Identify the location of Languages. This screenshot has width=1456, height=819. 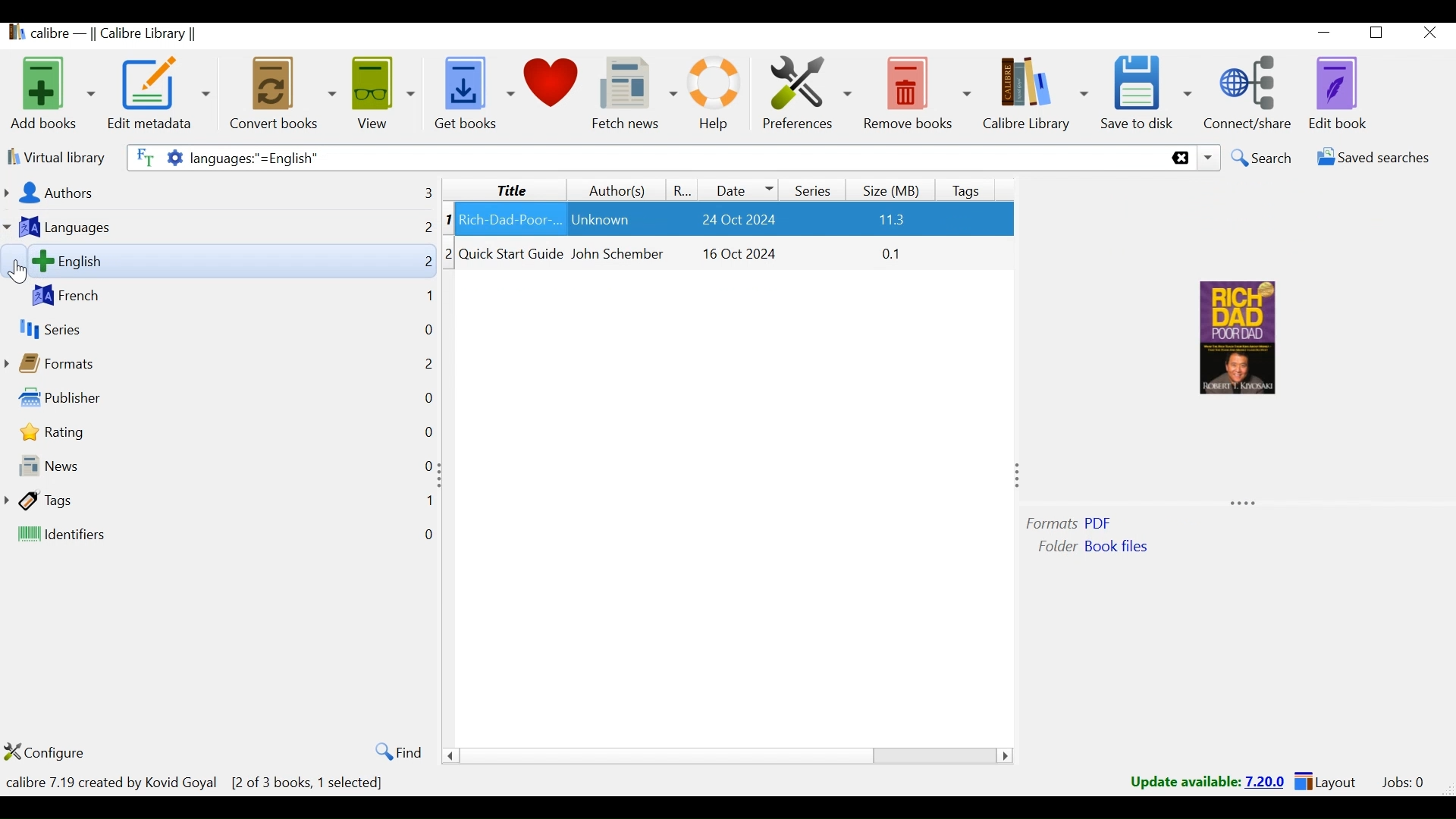
(89, 227).